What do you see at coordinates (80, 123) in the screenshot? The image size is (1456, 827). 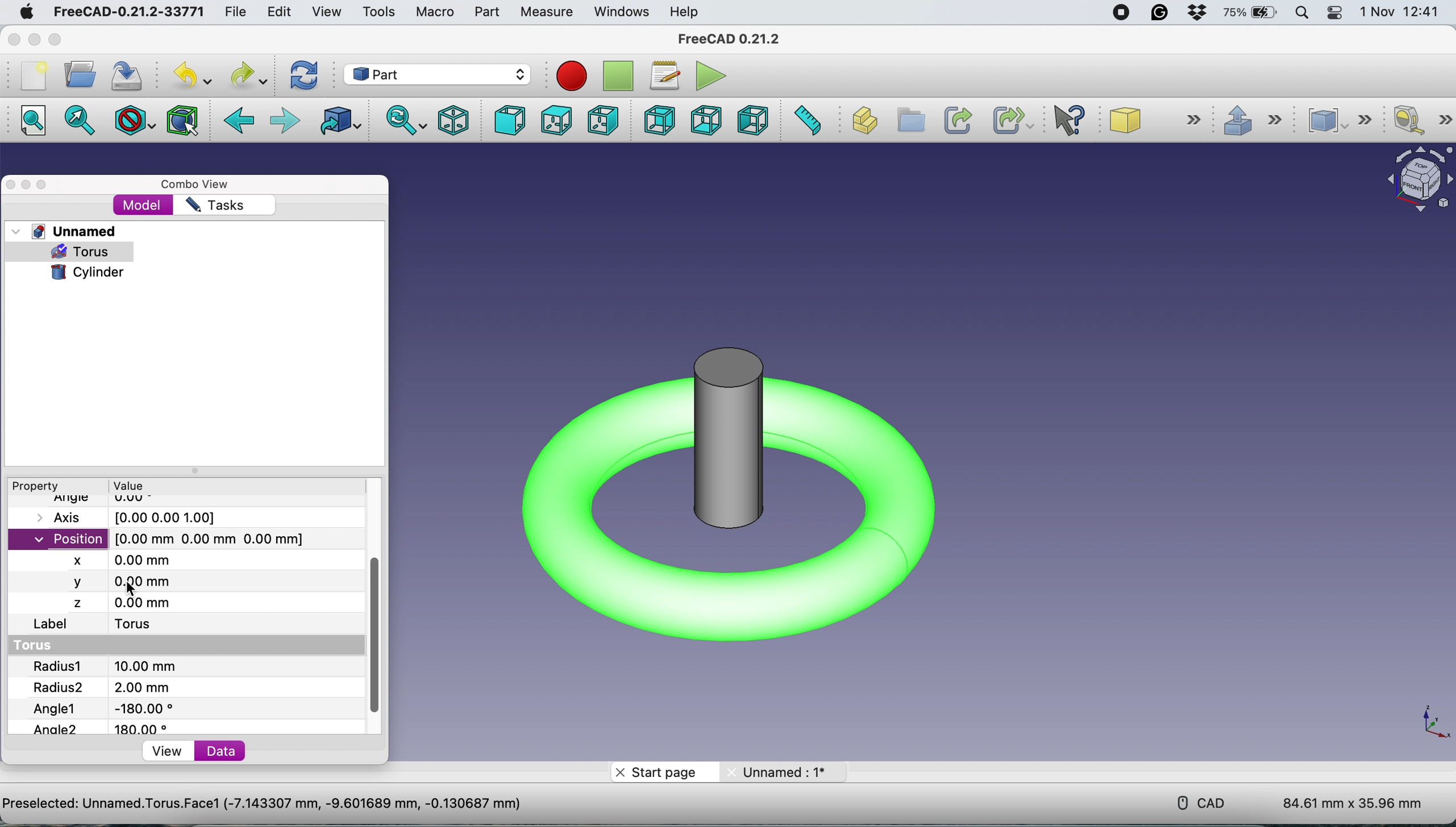 I see `go to selected object` at bounding box center [80, 123].